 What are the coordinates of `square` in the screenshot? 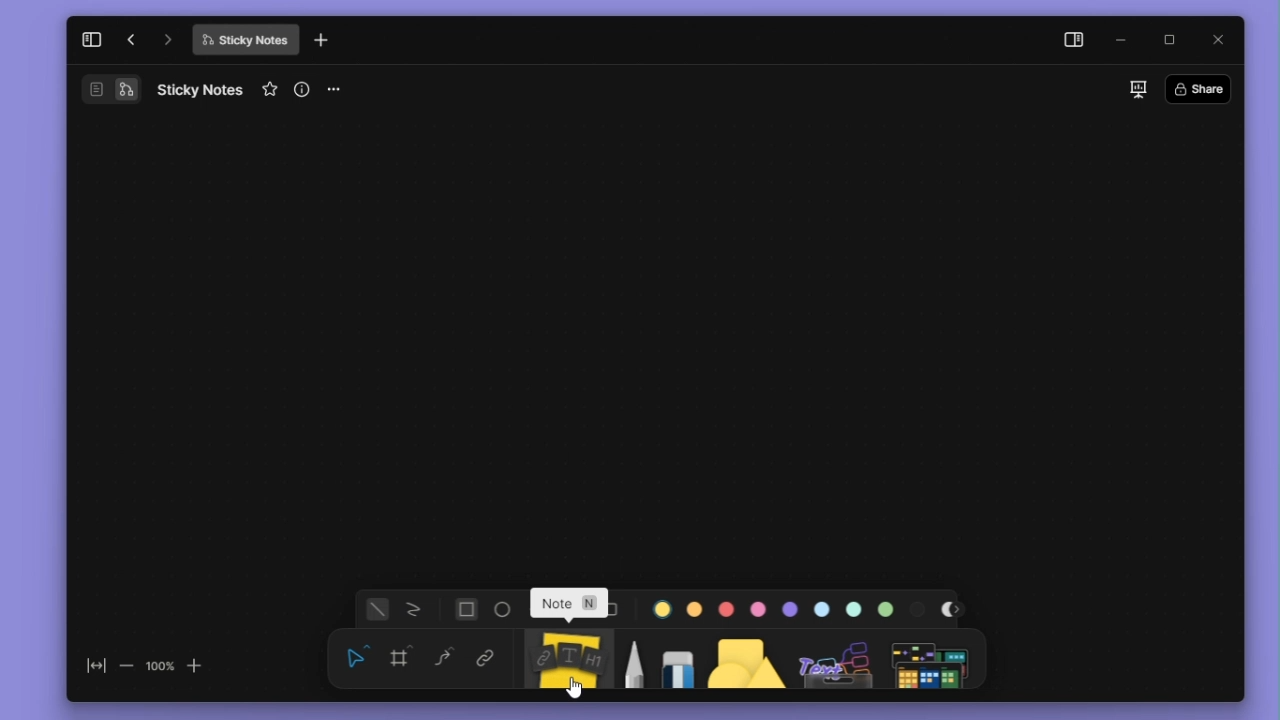 It's located at (465, 609).